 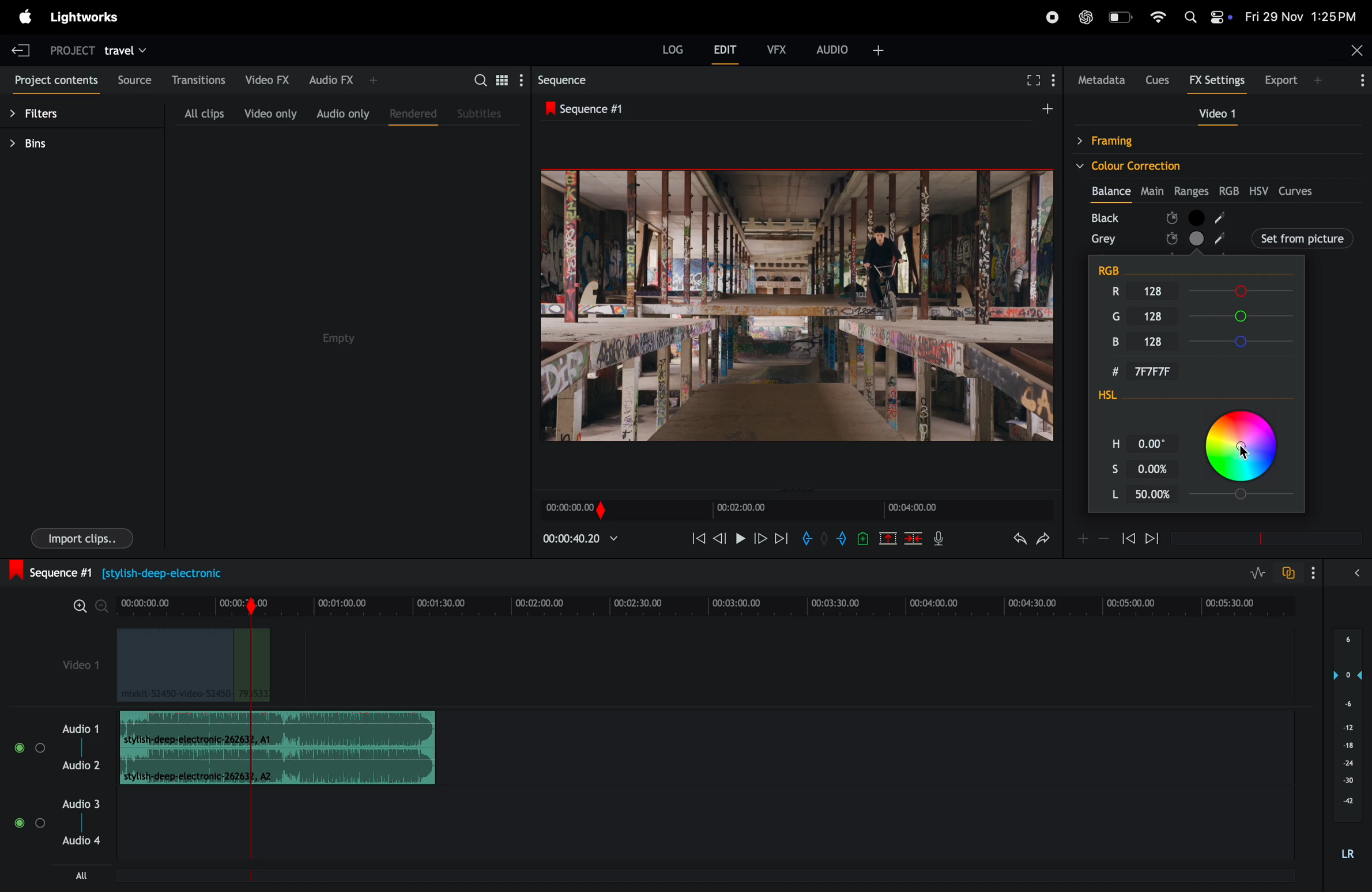 What do you see at coordinates (1104, 239) in the screenshot?
I see `grey` at bounding box center [1104, 239].